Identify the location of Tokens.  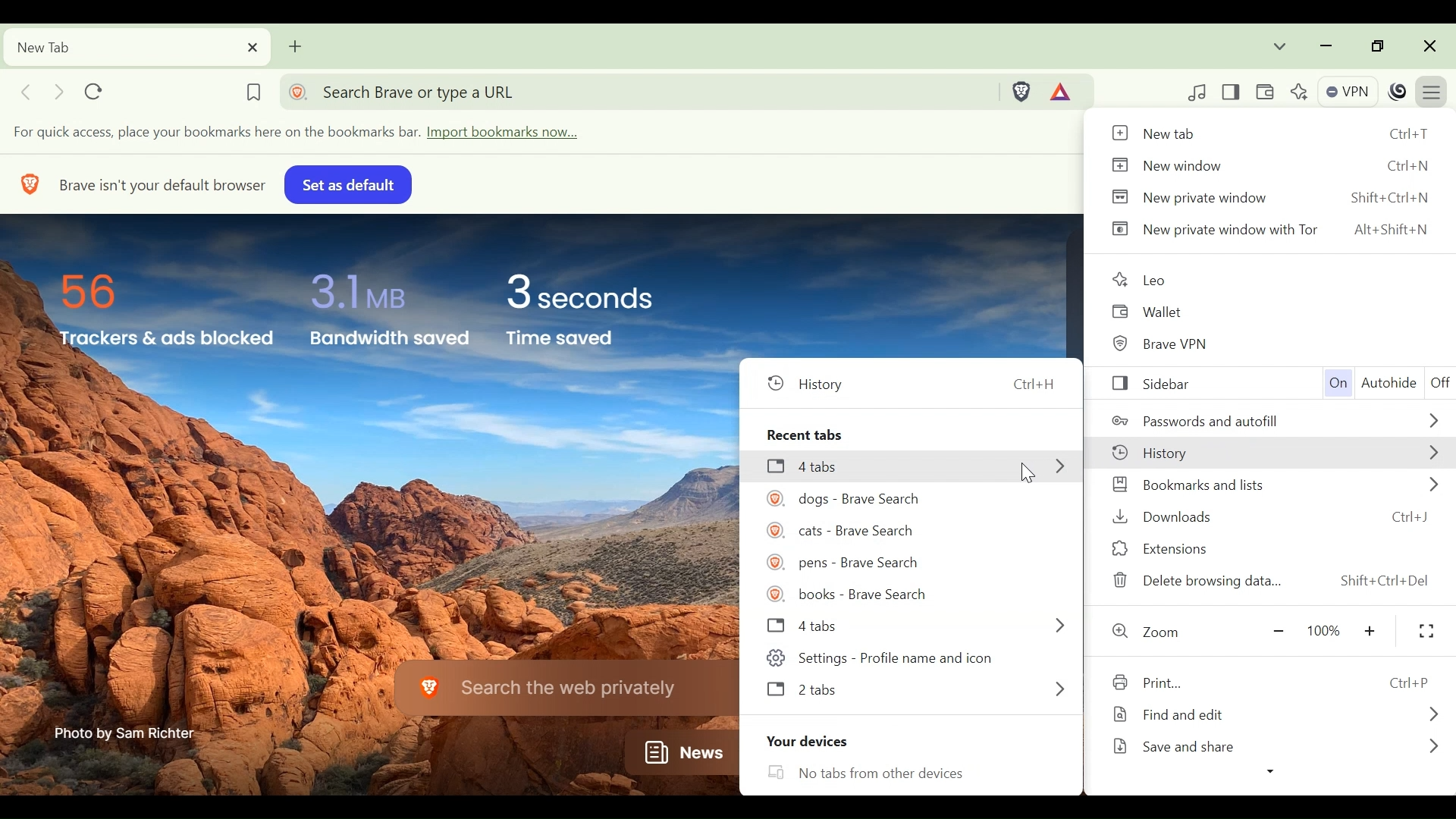
(1065, 91).